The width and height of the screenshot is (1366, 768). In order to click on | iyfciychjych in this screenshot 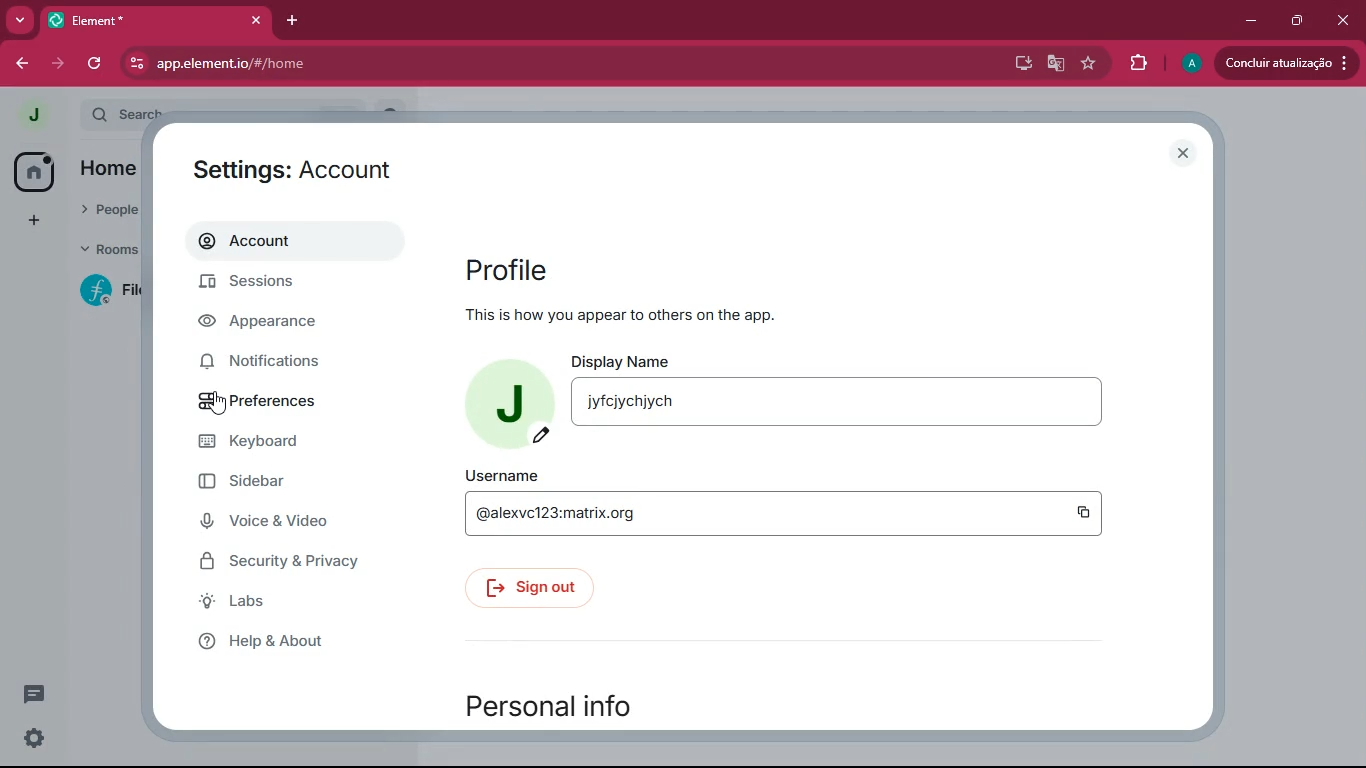, I will do `click(628, 403)`.